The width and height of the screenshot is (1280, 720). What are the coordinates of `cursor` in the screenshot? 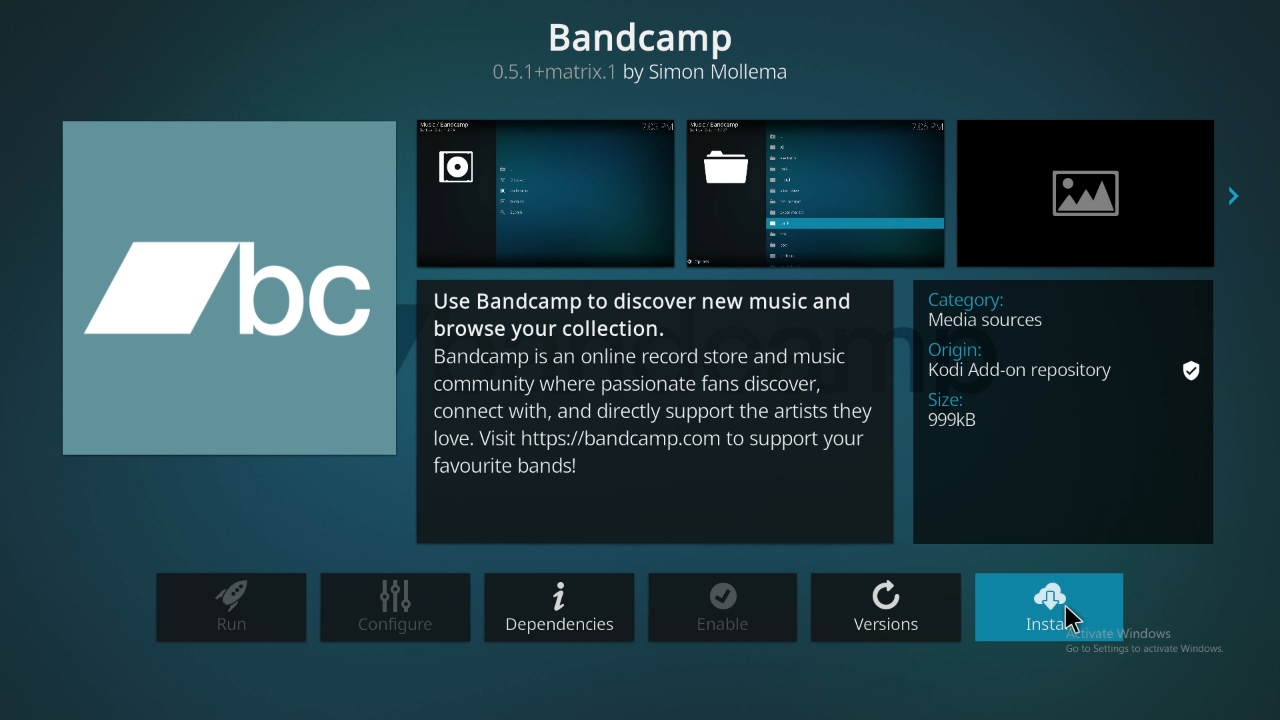 It's located at (1076, 621).